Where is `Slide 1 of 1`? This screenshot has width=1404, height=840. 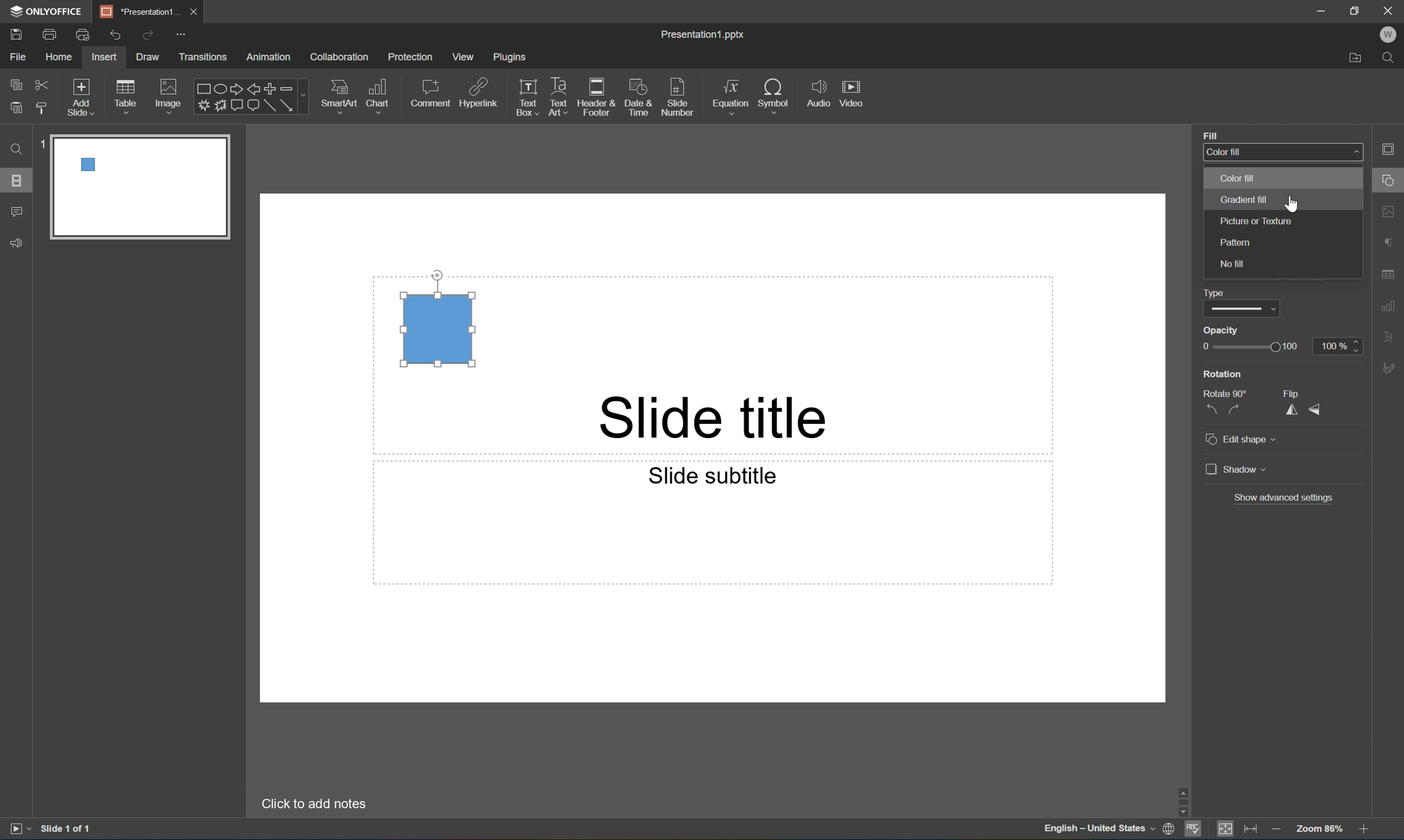 Slide 1 of 1 is located at coordinates (67, 828).